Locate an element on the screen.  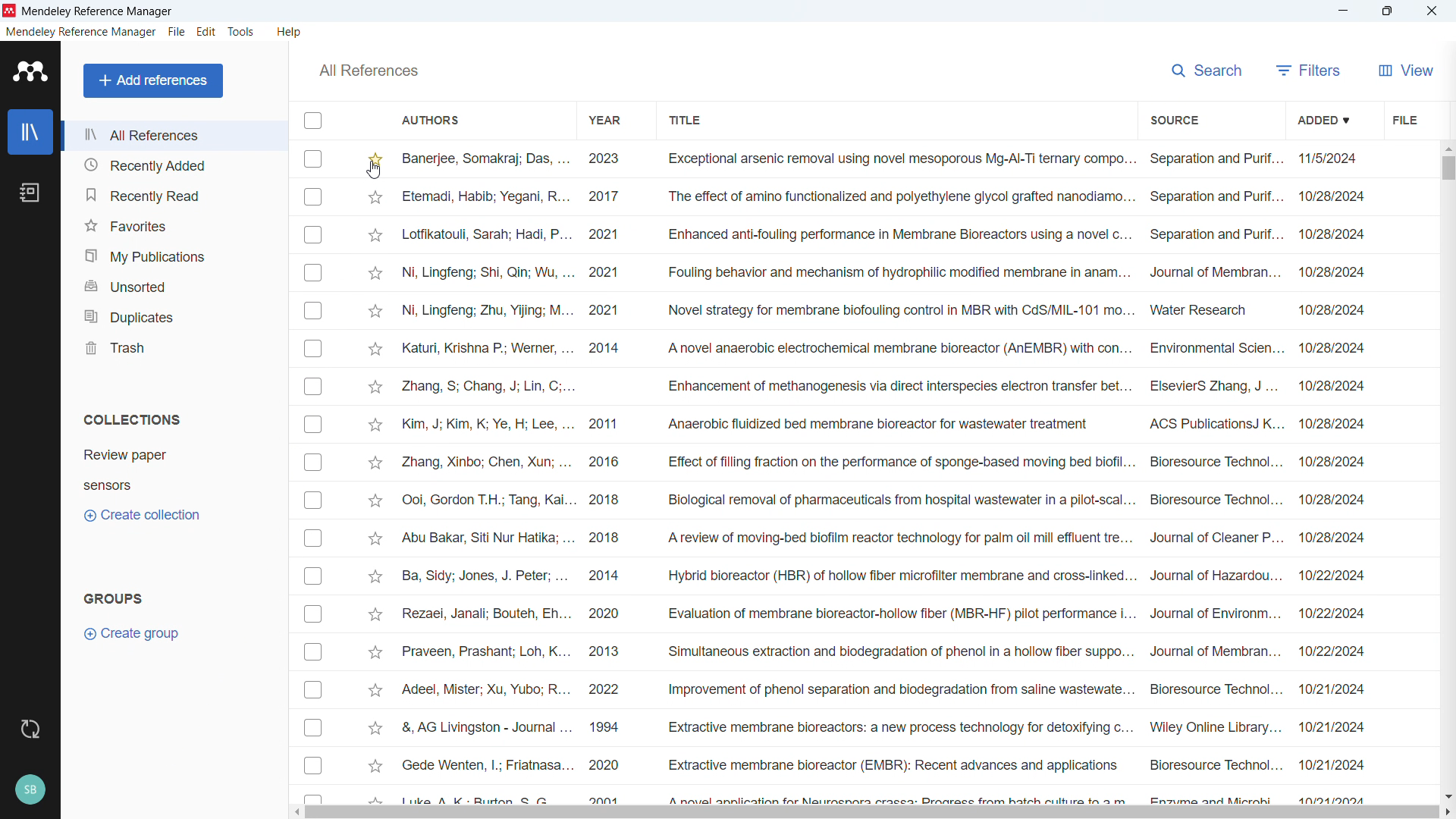
filters is located at coordinates (1310, 70).